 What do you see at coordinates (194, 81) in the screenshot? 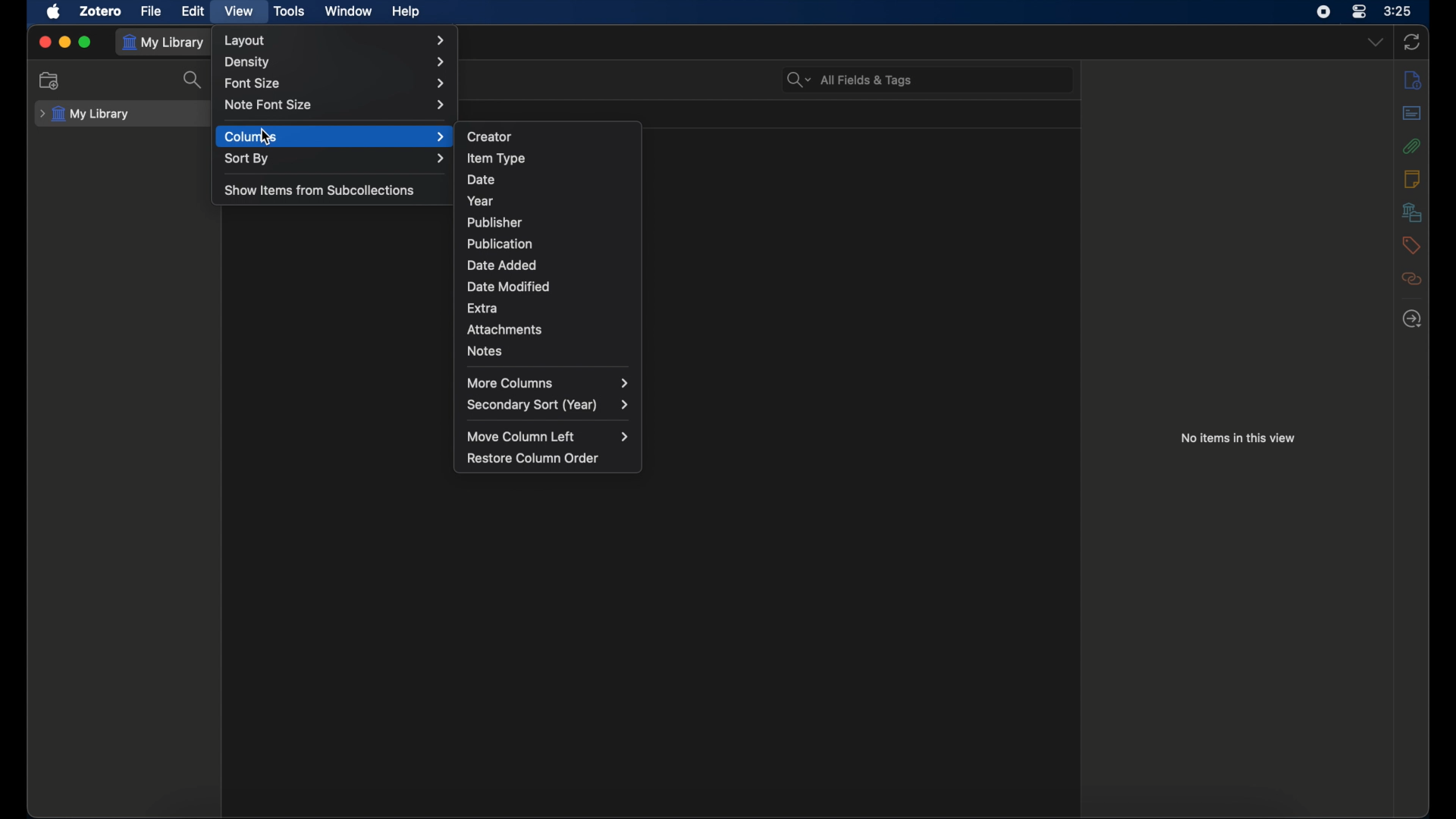
I see `search` at bounding box center [194, 81].